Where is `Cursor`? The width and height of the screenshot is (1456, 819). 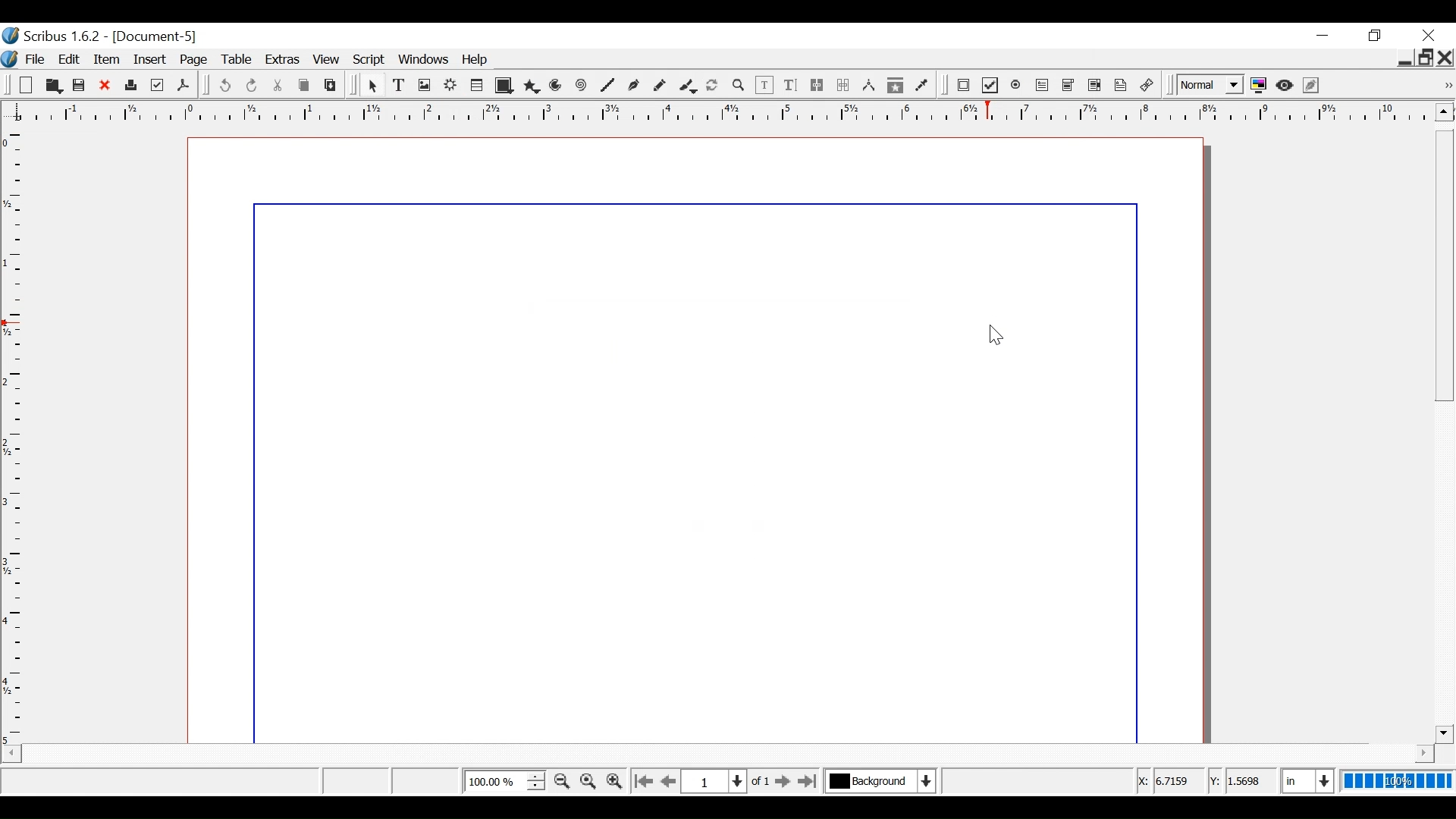 Cursor is located at coordinates (993, 335).